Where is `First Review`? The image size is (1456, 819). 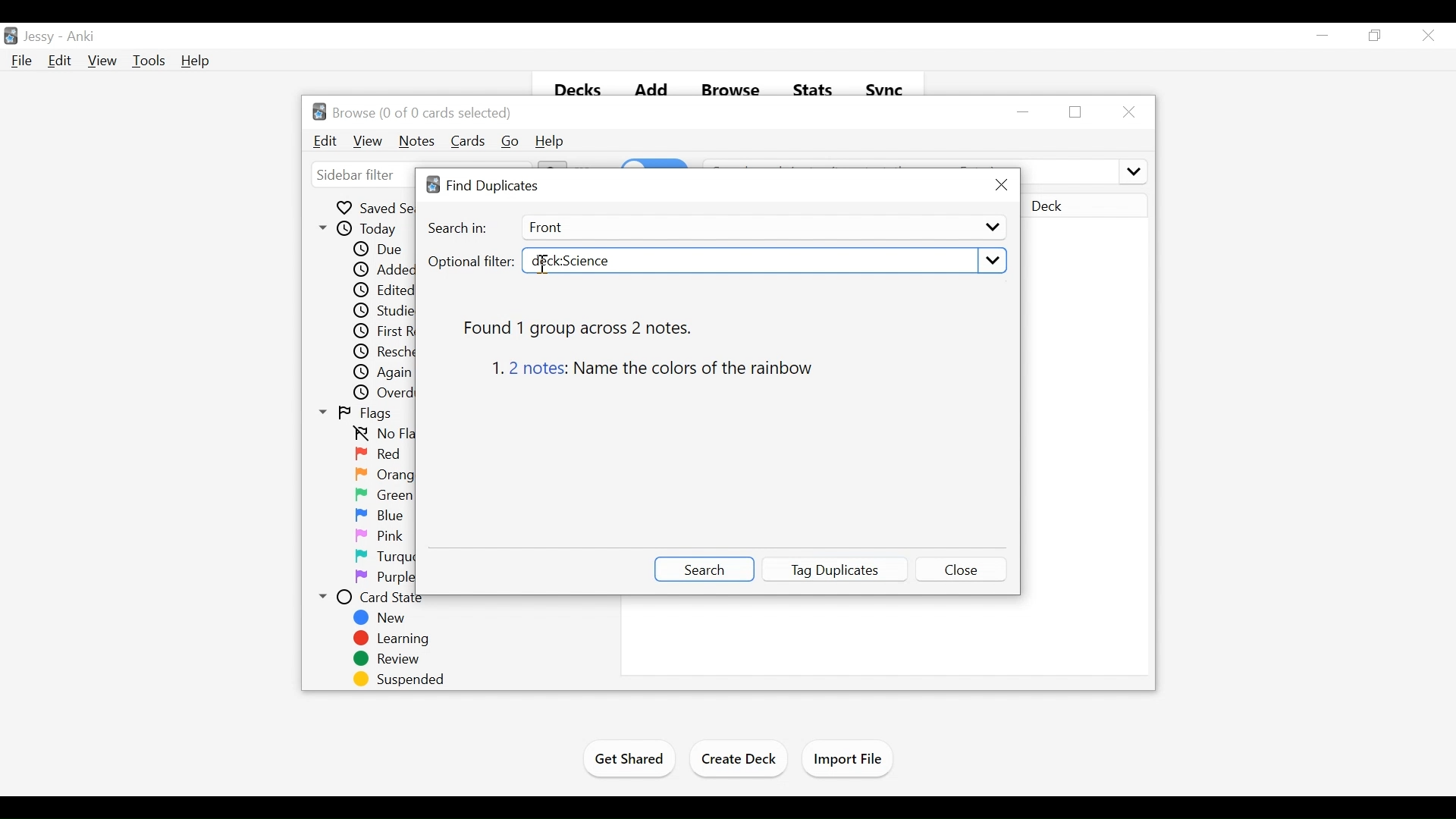
First Review is located at coordinates (383, 331).